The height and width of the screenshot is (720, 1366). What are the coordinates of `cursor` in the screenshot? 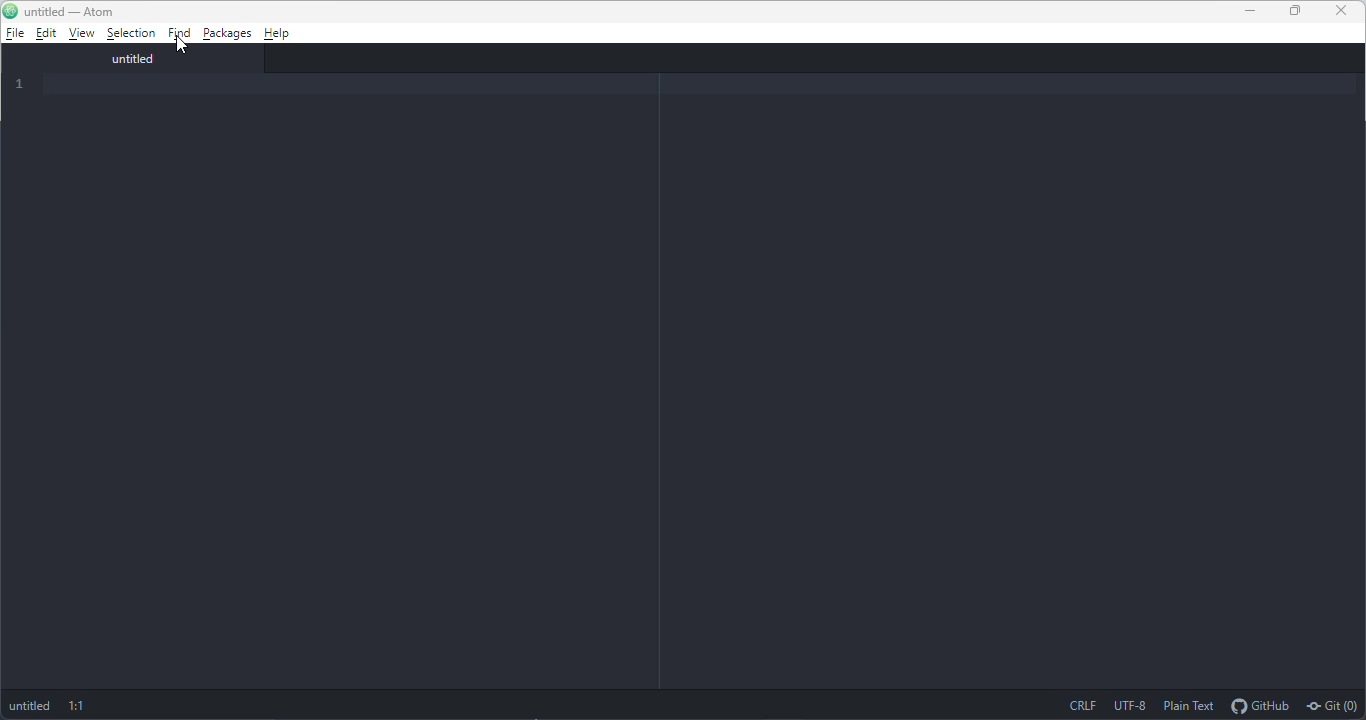 It's located at (180, 47).